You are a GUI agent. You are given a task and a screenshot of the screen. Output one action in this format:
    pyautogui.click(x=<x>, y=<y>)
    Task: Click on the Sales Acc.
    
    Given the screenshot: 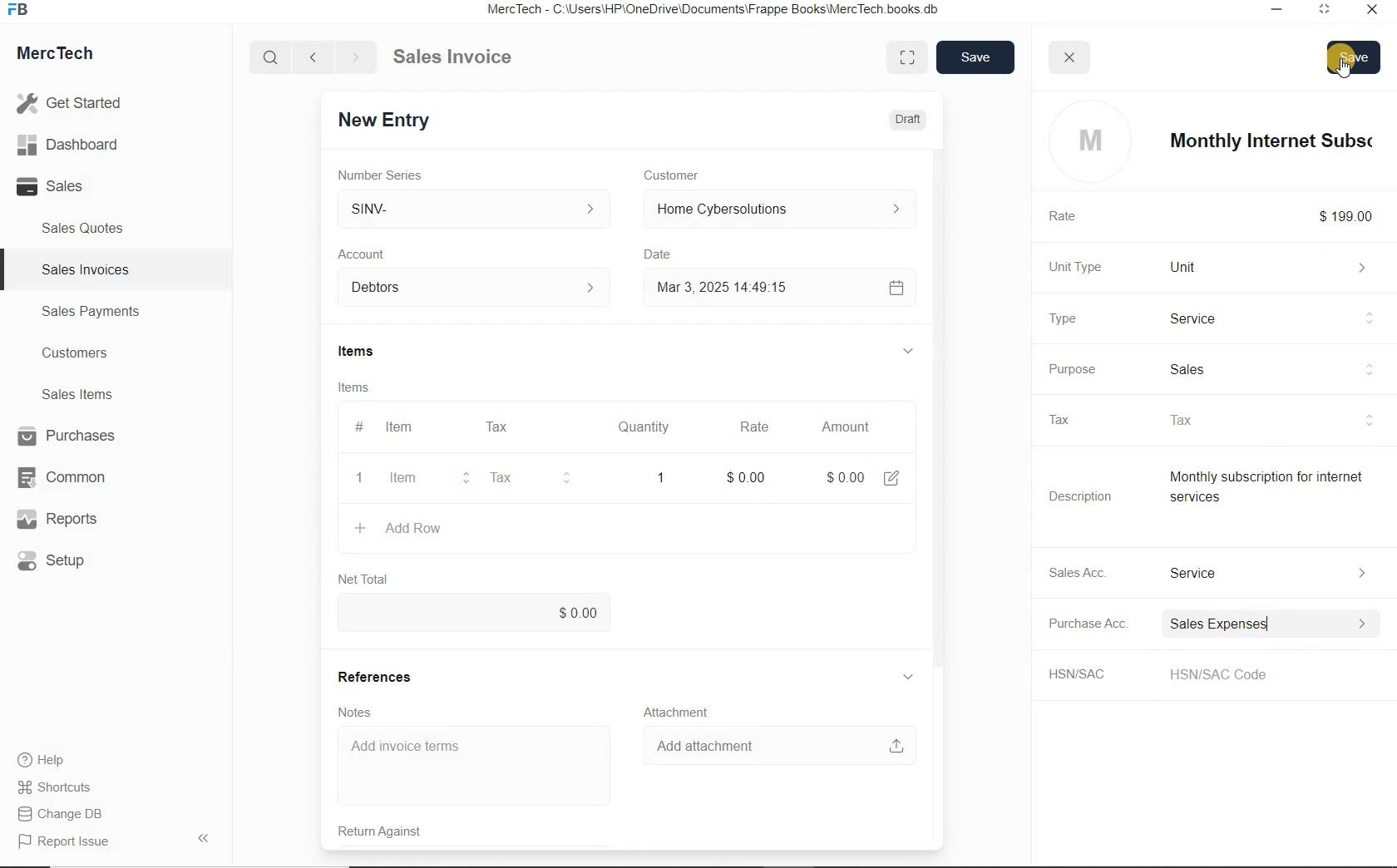 What is the action you would take?
    pyautogui.click(x=1073, y=572)
    